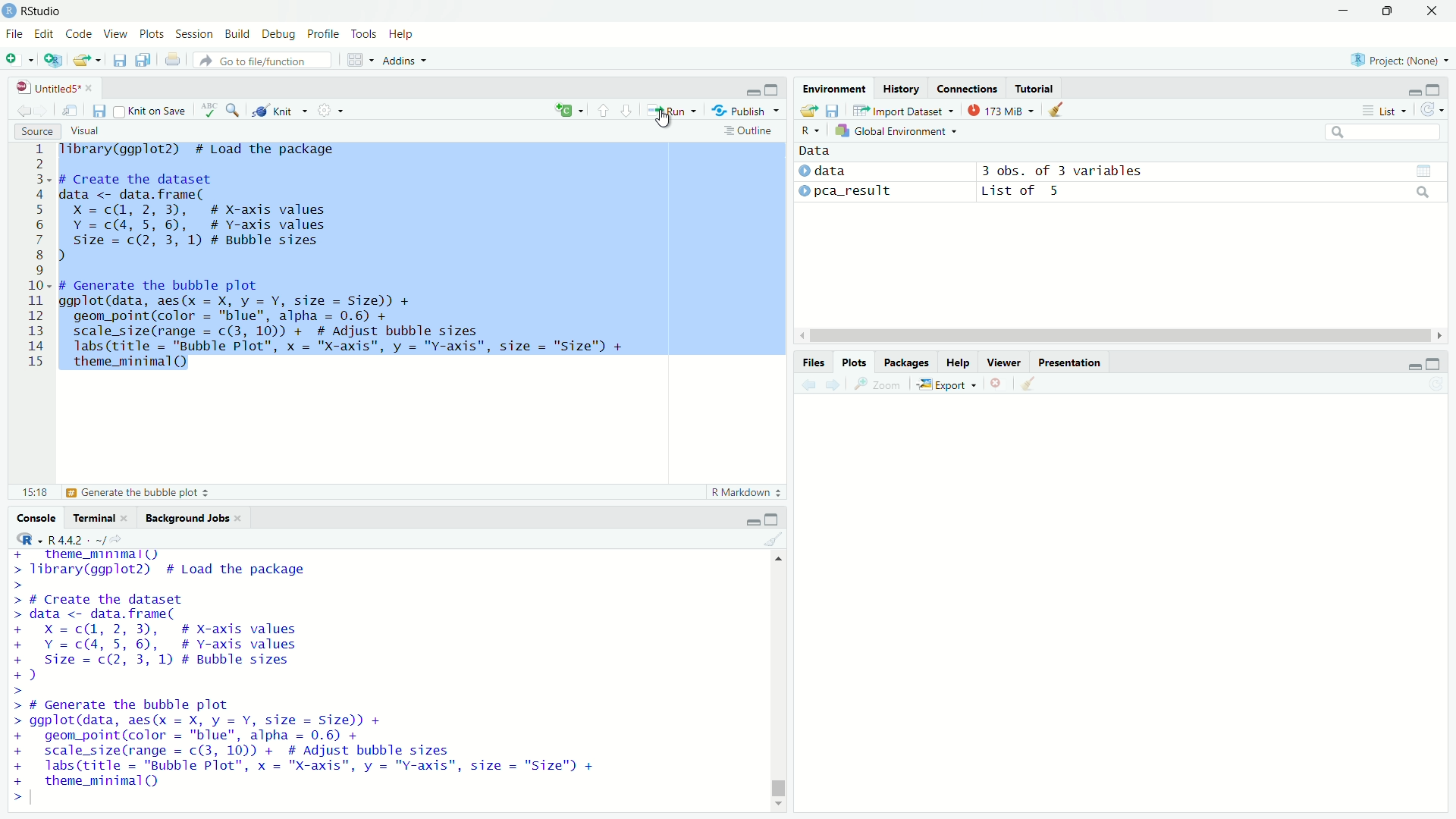  What do you see at coordinates (665, 120) in the screenshot?
I see `cursor` at bounding box center [665, 120].